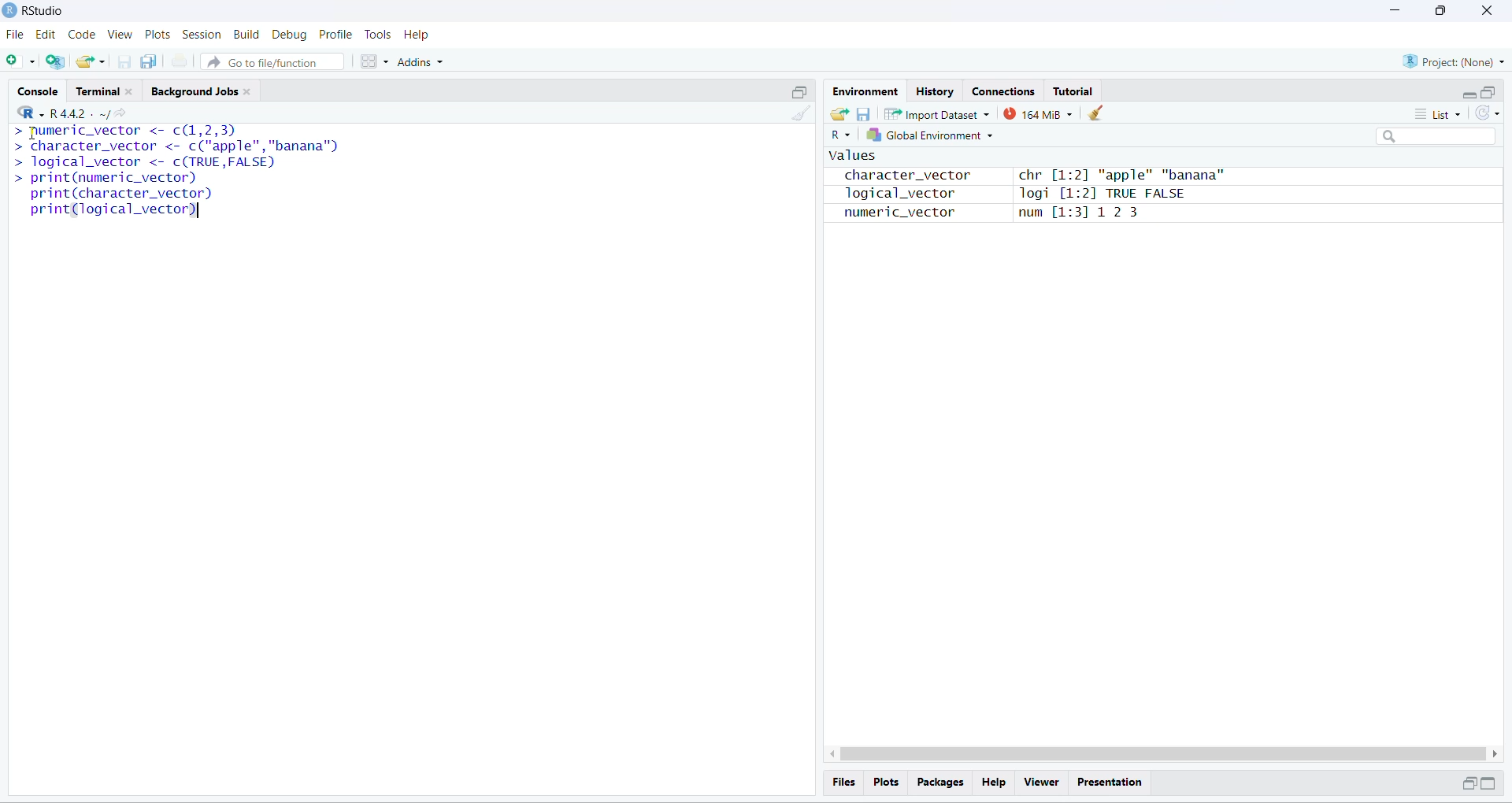 The height and width of the screenshot is (803, 1512). What do you see at coordinates (150, 61) in the screenshot?
I see `save all open document` at bounding box center [150, 61].